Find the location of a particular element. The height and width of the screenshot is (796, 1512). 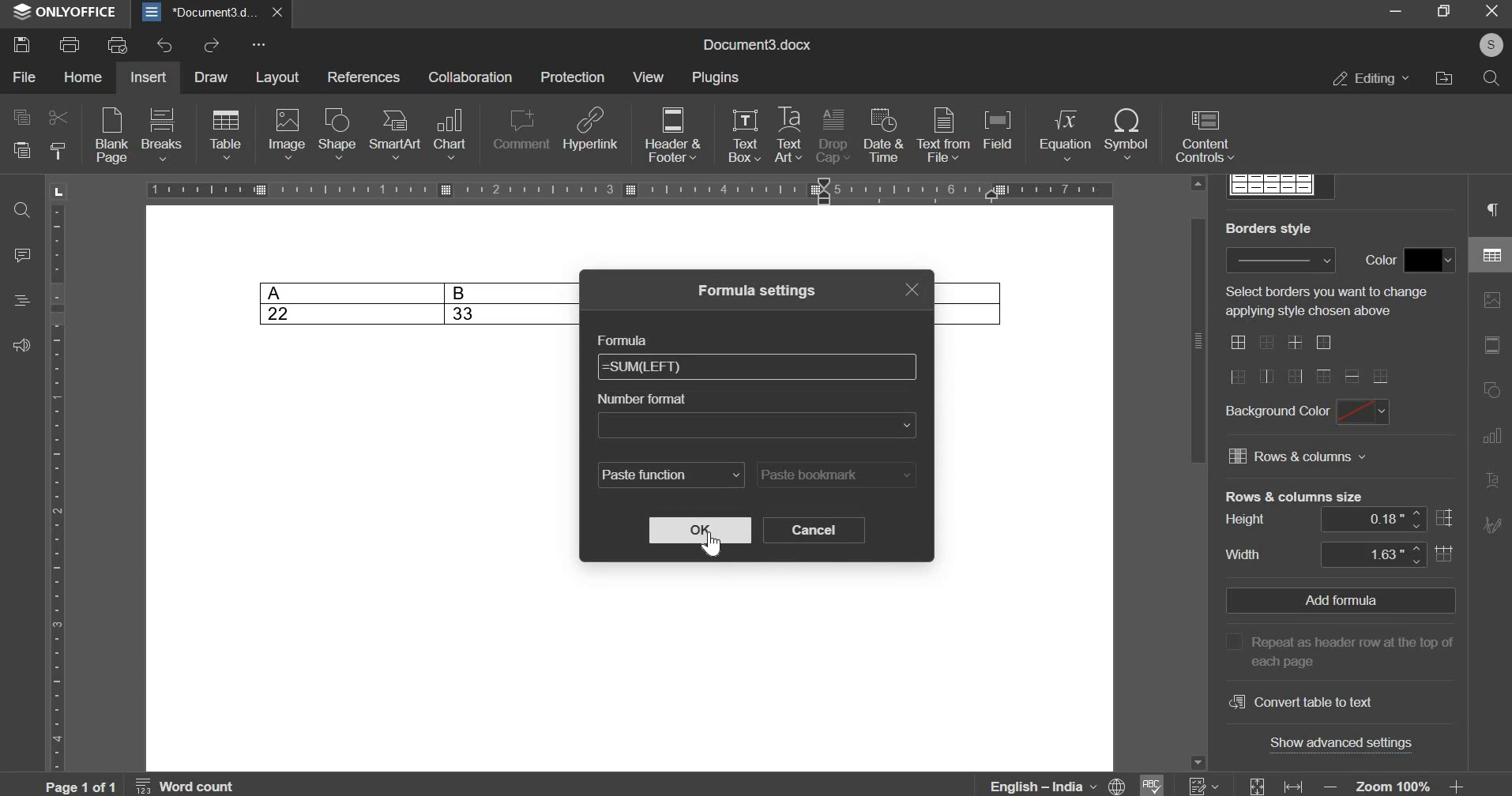

paragraph settings is located at coordinates (1494, 209).